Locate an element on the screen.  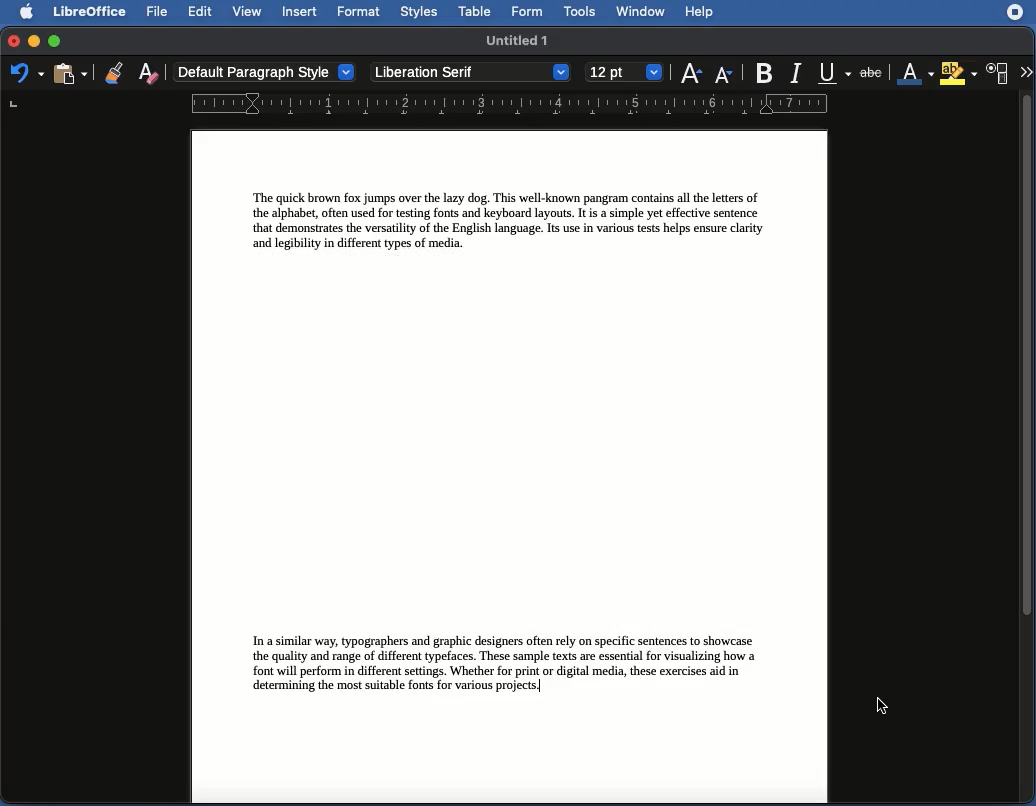
‘The quick brown fox jumps over the lazy dog, This well-known pangram contains ll the letters of
the alphabet, often used for testing fonts and keyboard layouts. It is a simple yet effective sentence
that demonstrates the versatility of the English language. Is use in various tess helps ensure clarity
and legibility in different types of media.

In a similar way, typographers and graphic designers often rely on specific sentences to showcase
the quality and range of different typefaces. These sample texts are essential for visualizing how a
font will perform in different settings. Whether for print or digital media, these exercises aid in
determining the most suitable fonts for various projects] is located at coordinates (507, 464).